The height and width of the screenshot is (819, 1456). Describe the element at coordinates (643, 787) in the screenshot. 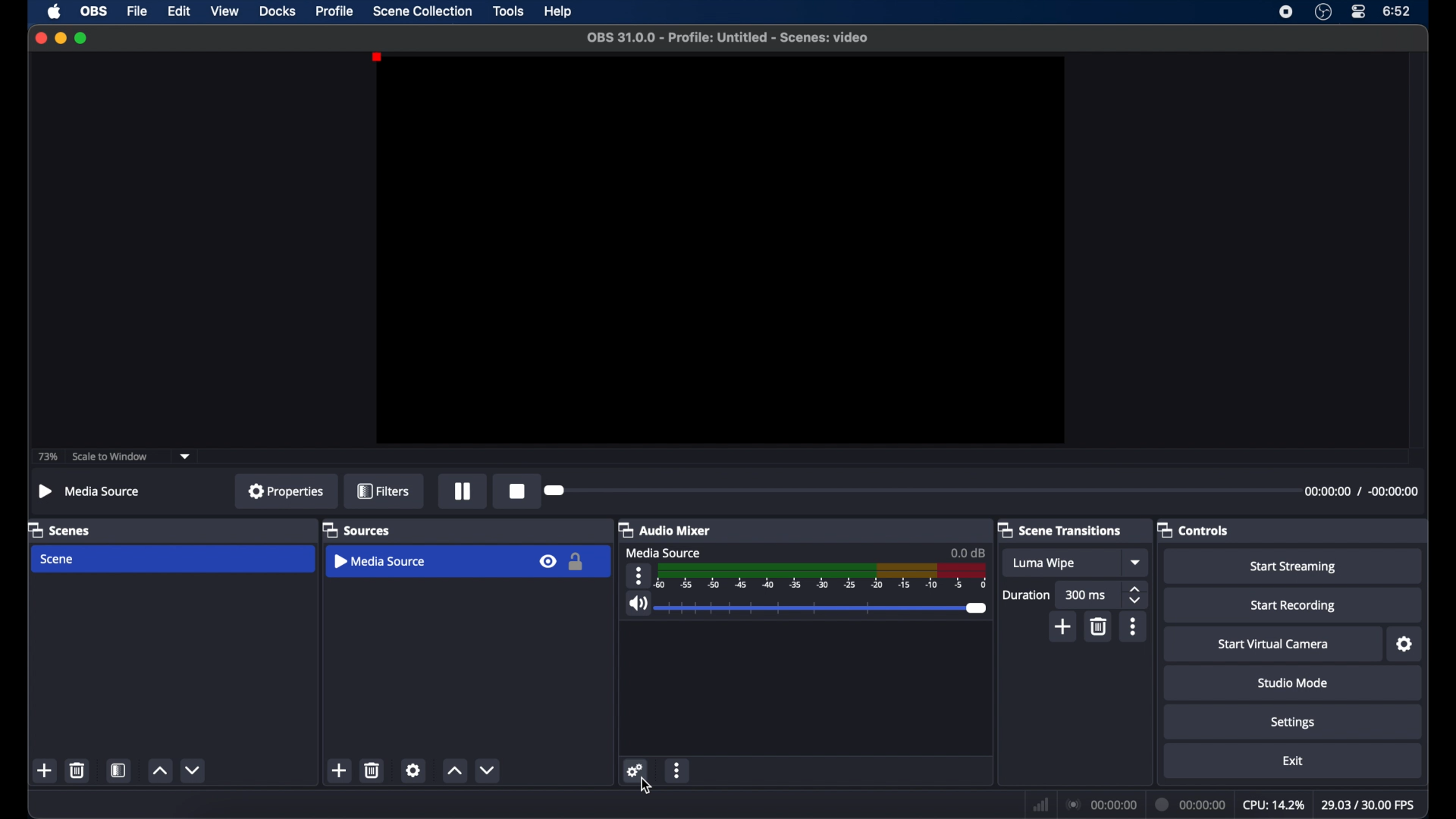

I see `cursor` at that location.